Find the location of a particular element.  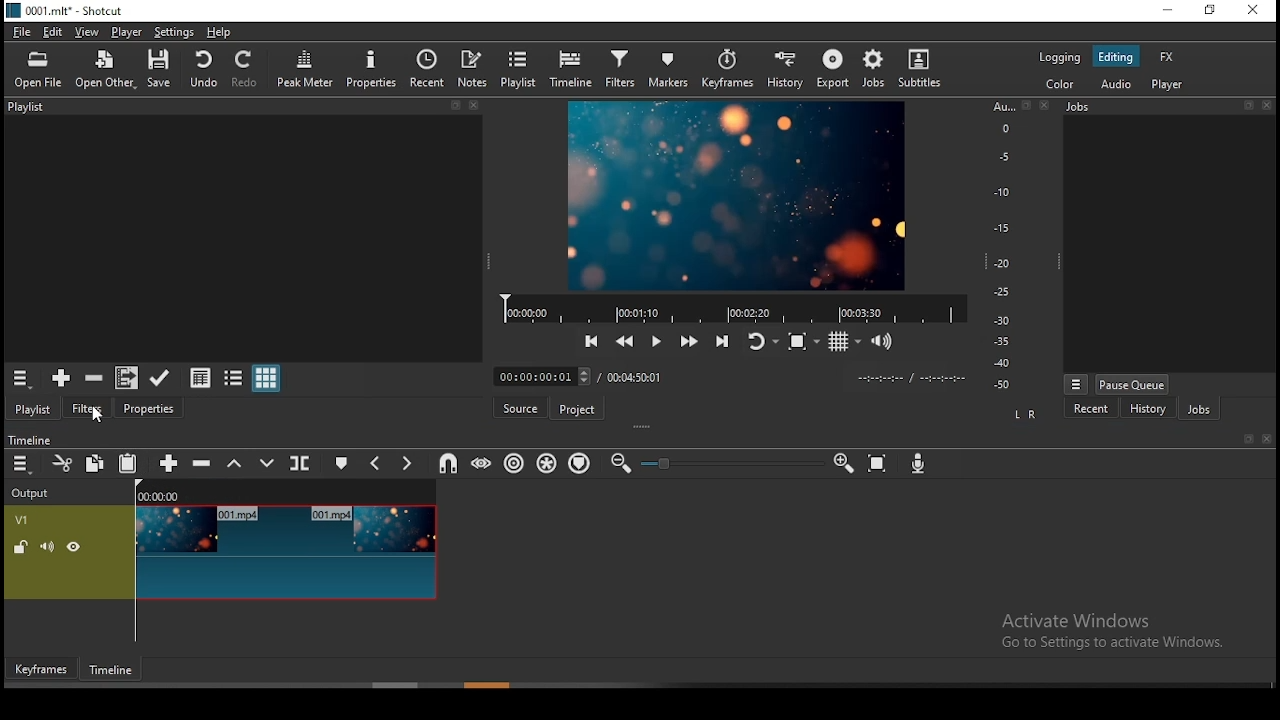

settings is located at coordinates (173, 33).